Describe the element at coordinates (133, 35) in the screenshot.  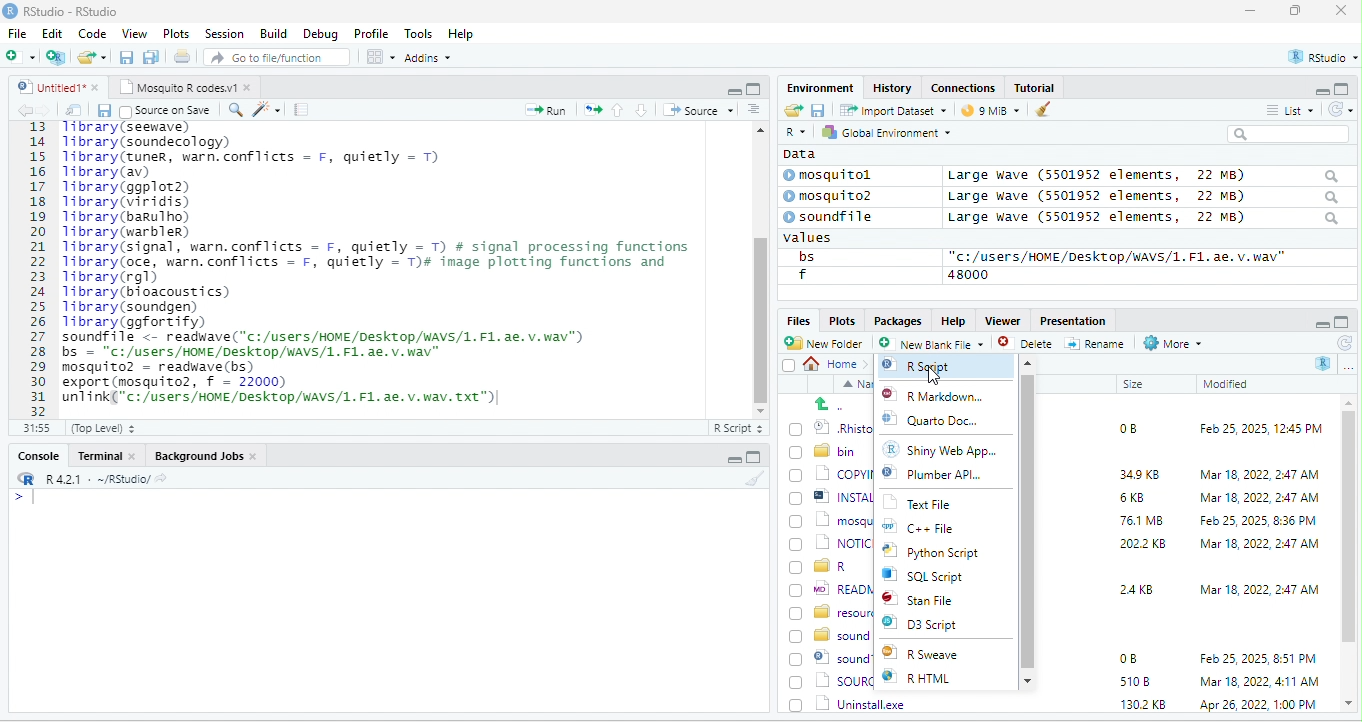
I see `View` at that location.